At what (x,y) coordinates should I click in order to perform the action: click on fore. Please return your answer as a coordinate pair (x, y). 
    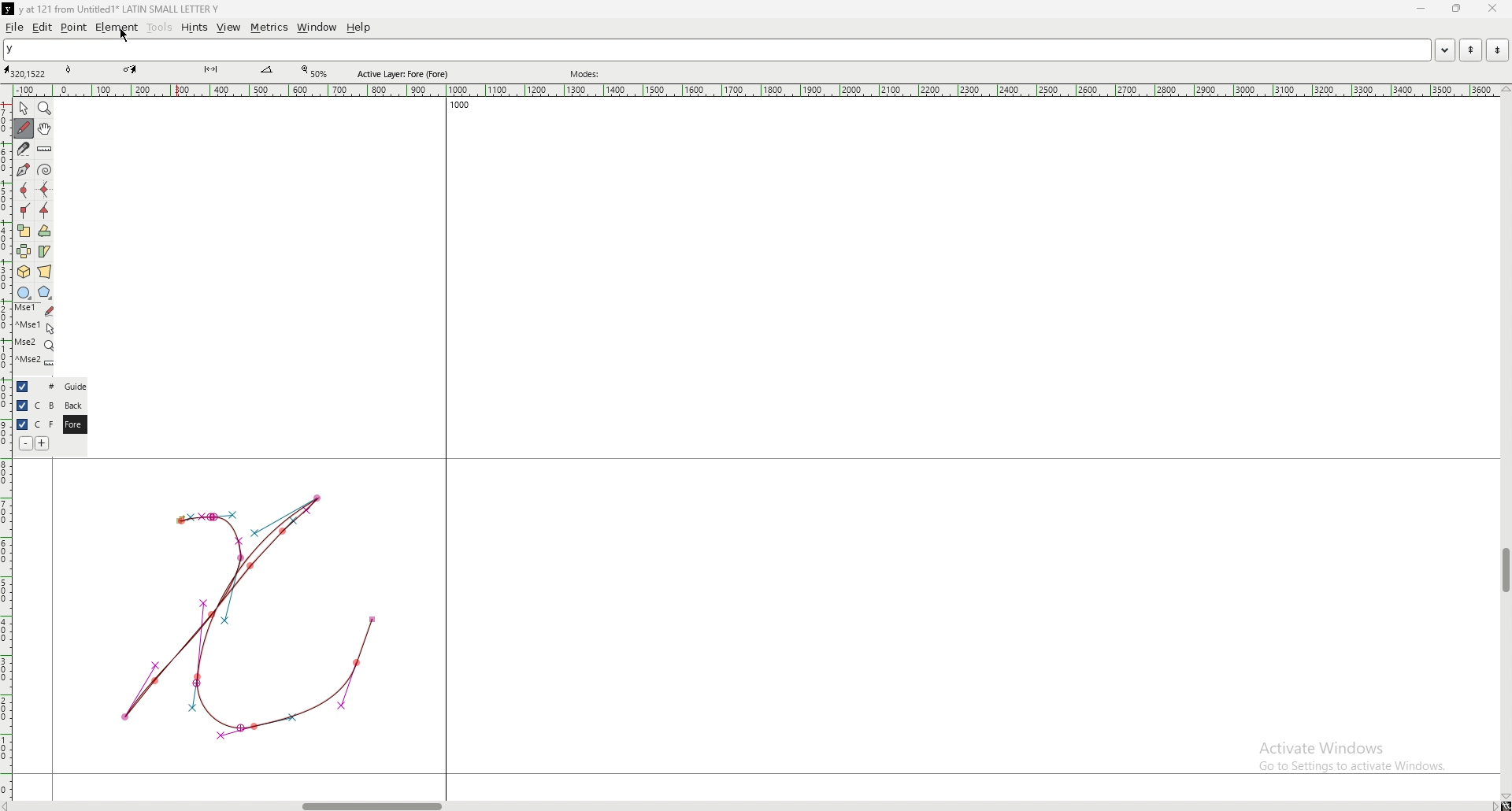
    Looking at the image, I should click on (73, 425).